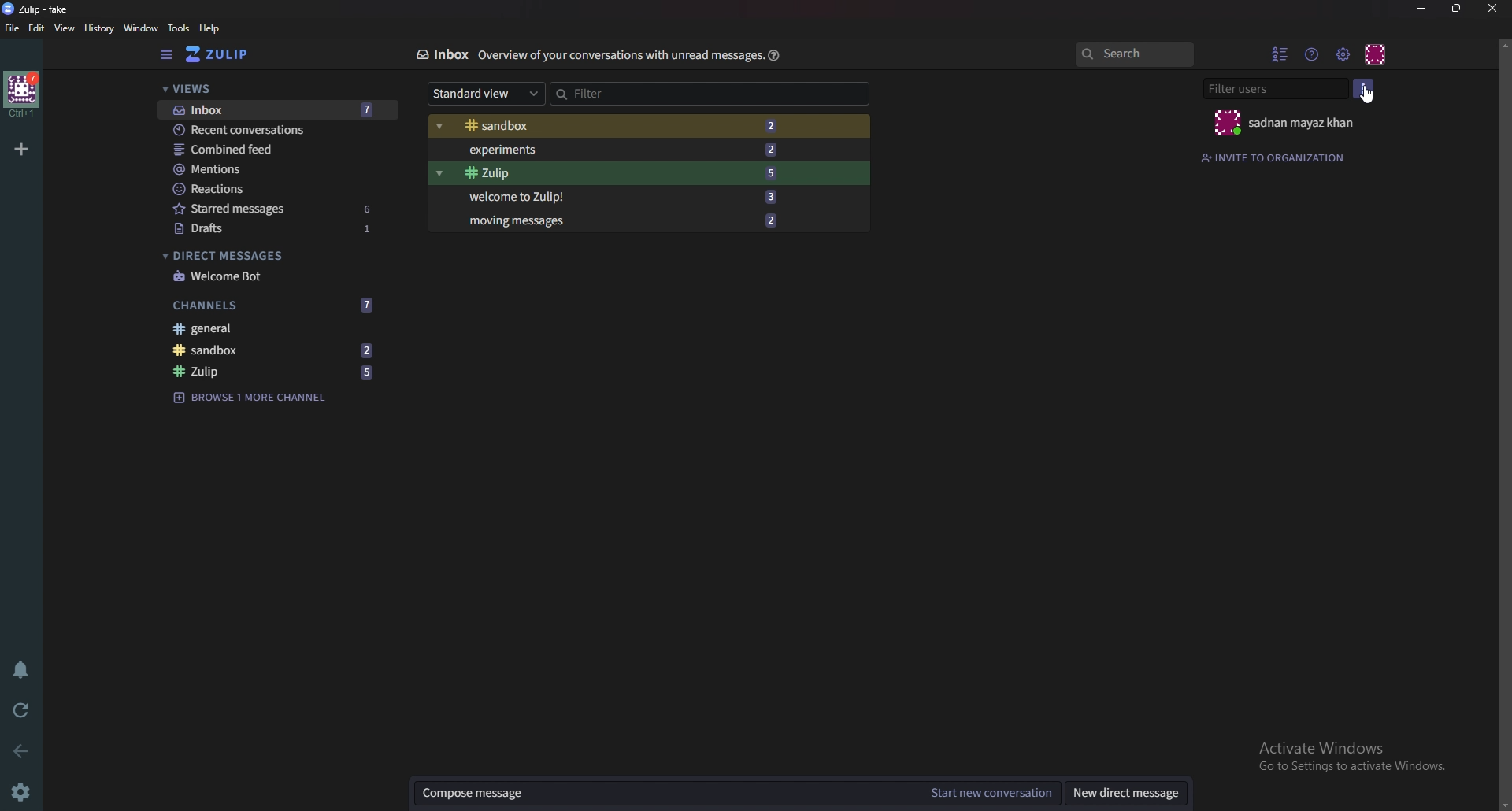  What do you see at coordinates (280, 149) in the screenshot?
I see `Combined feed` at bounding box center [280, 149].